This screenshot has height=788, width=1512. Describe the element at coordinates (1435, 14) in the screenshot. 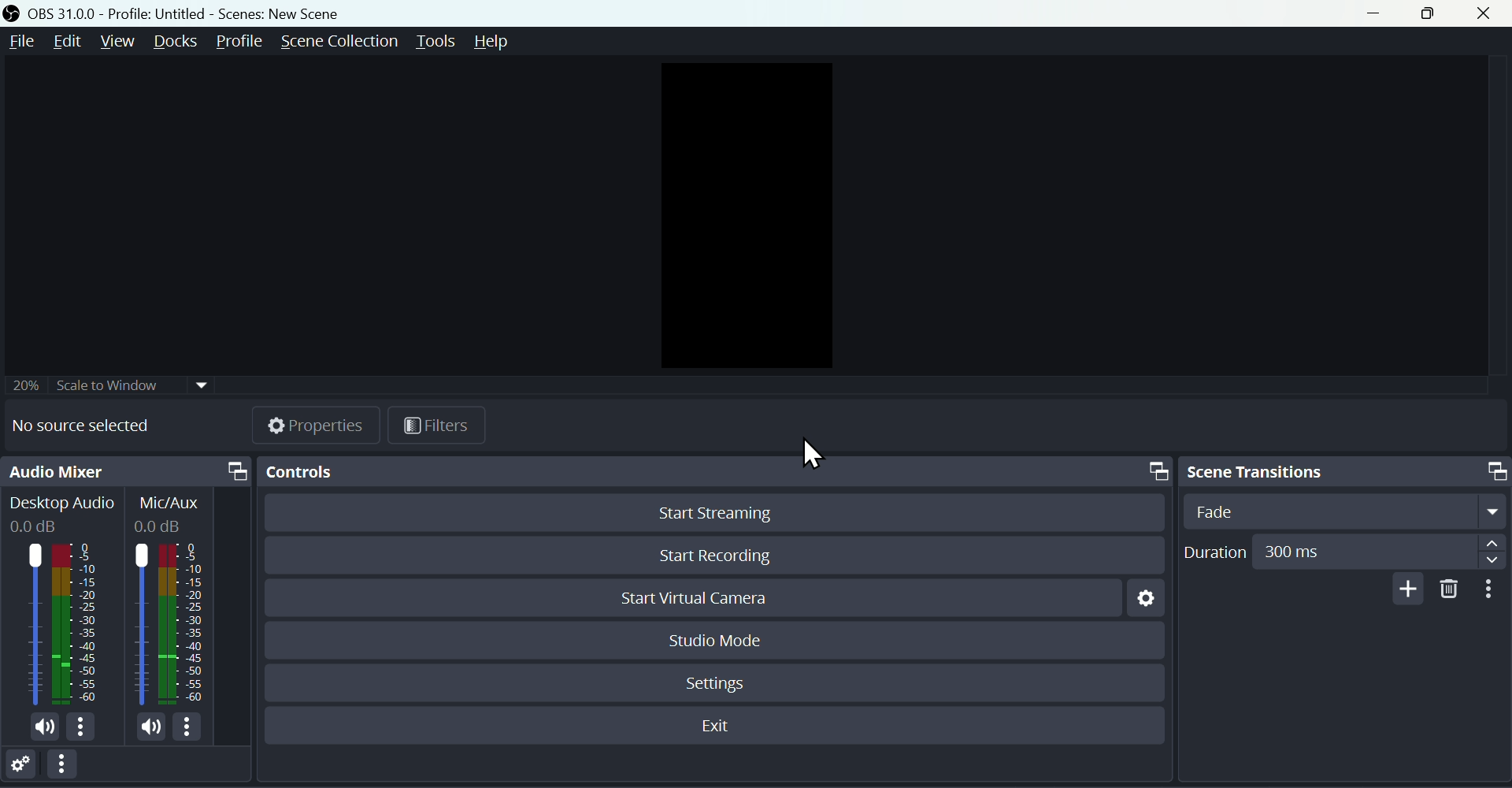

I see `maximise` at that location.